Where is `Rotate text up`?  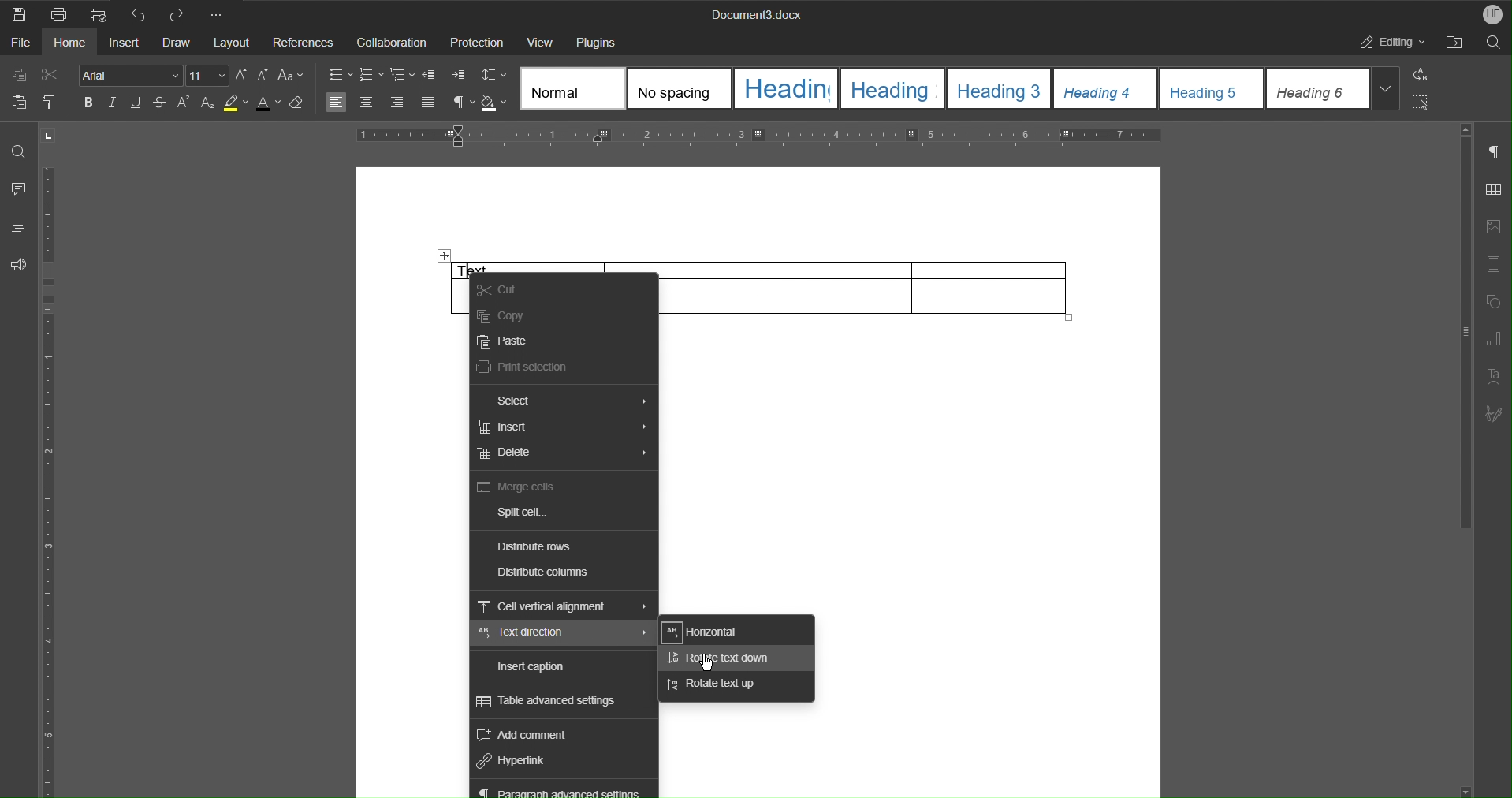 Rotate text up is located at coordinates (717, 684).